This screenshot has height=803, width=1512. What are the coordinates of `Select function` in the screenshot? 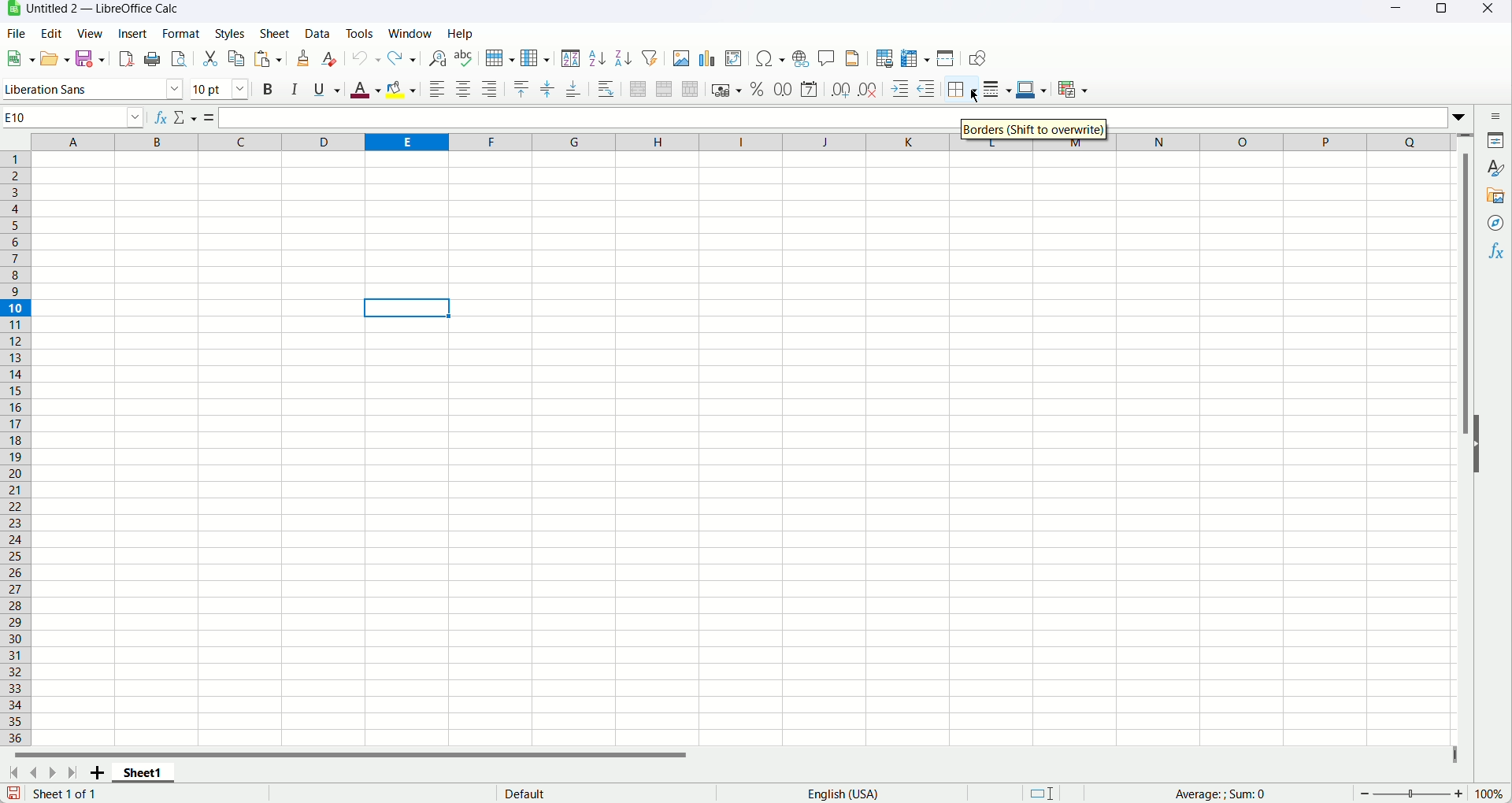 It's located at (187, 117).